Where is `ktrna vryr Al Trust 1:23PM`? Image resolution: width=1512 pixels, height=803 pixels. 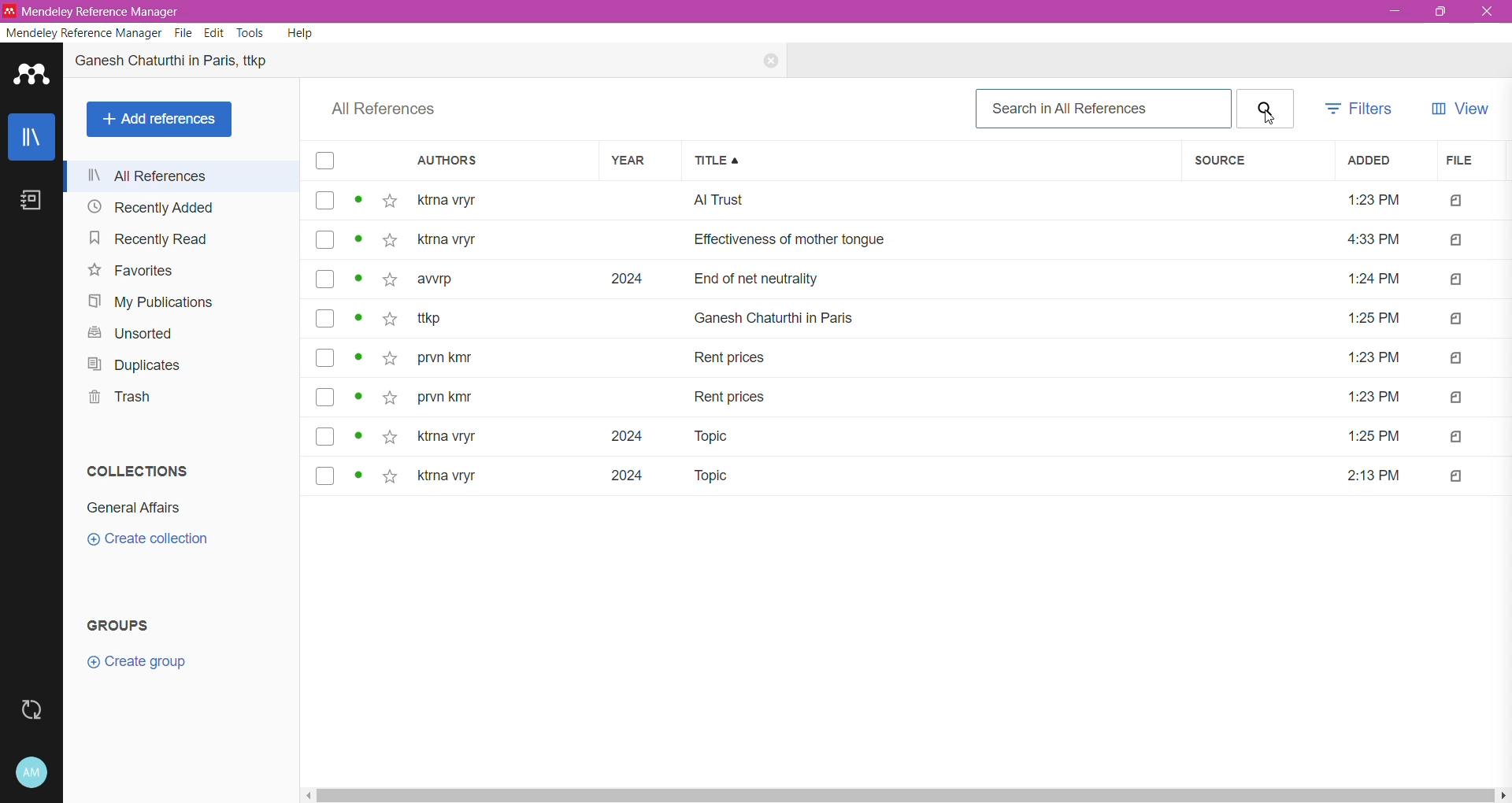 ktrna vryr Al Trust 1:23PM is located at coordinates (906, 202).